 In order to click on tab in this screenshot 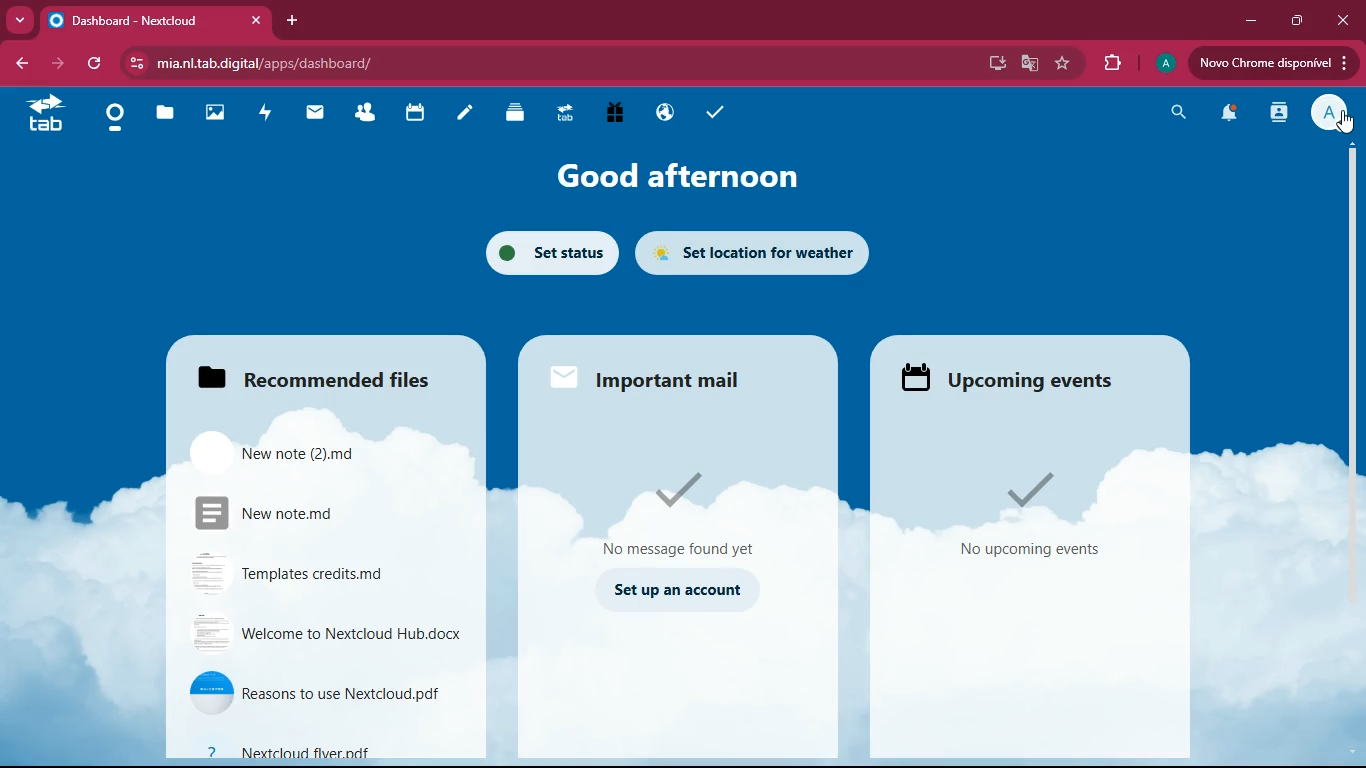, I will do `click(44, 115)`.